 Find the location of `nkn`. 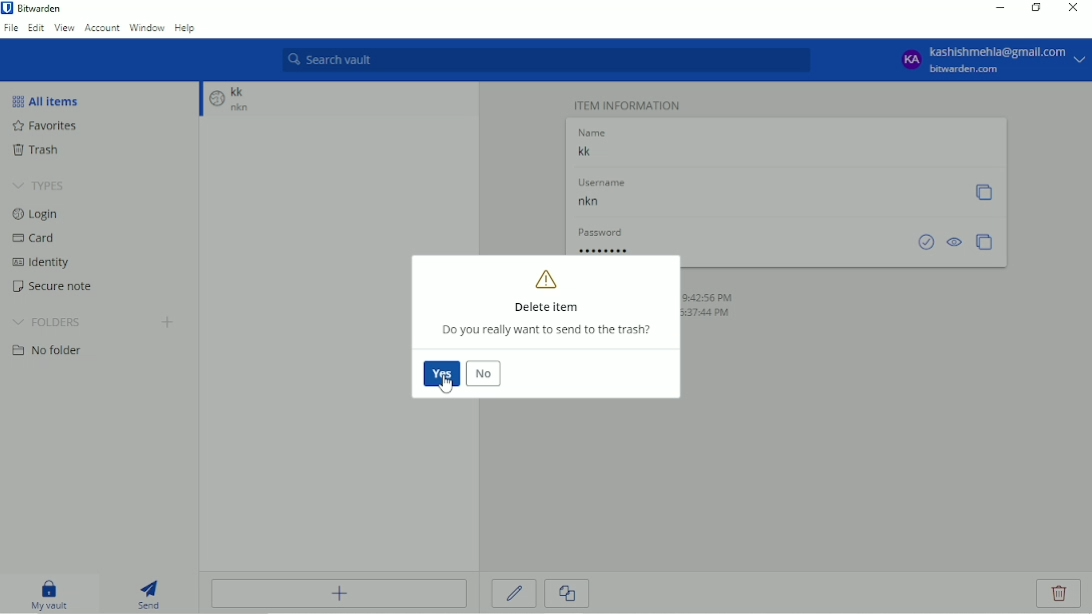

nkn is located at coordinates (251, 109).